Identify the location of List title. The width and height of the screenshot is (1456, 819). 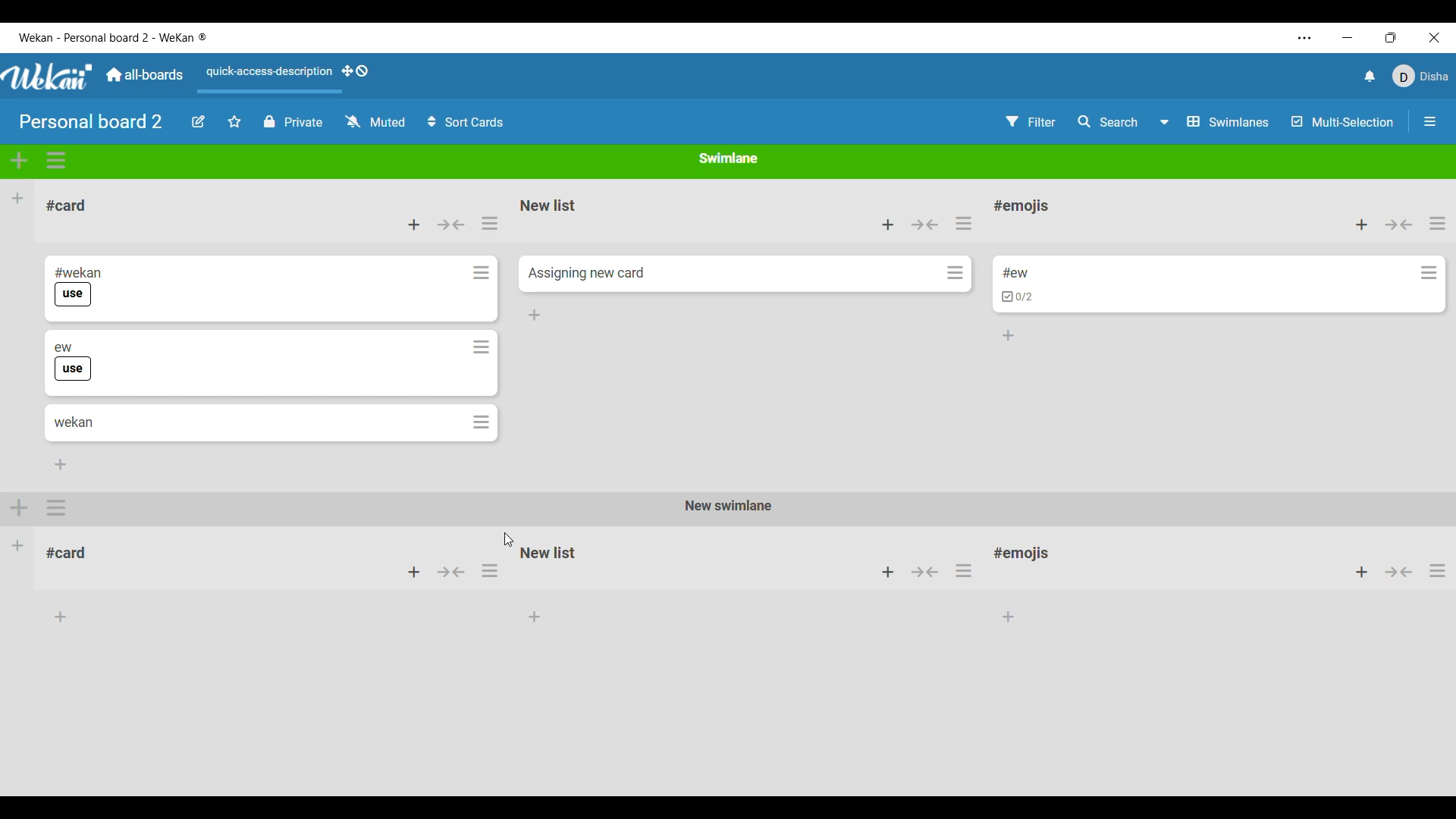
(67, 206).